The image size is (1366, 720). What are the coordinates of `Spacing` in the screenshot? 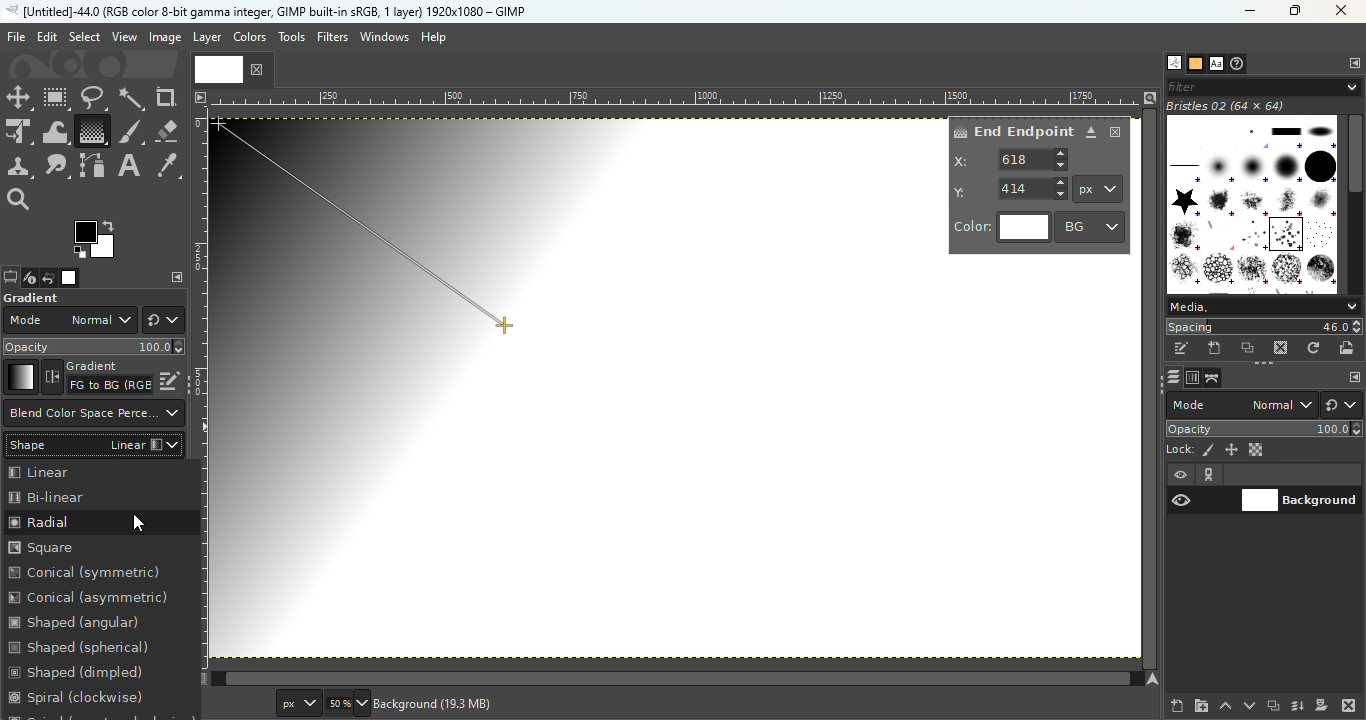 It's located at (1264, 327).